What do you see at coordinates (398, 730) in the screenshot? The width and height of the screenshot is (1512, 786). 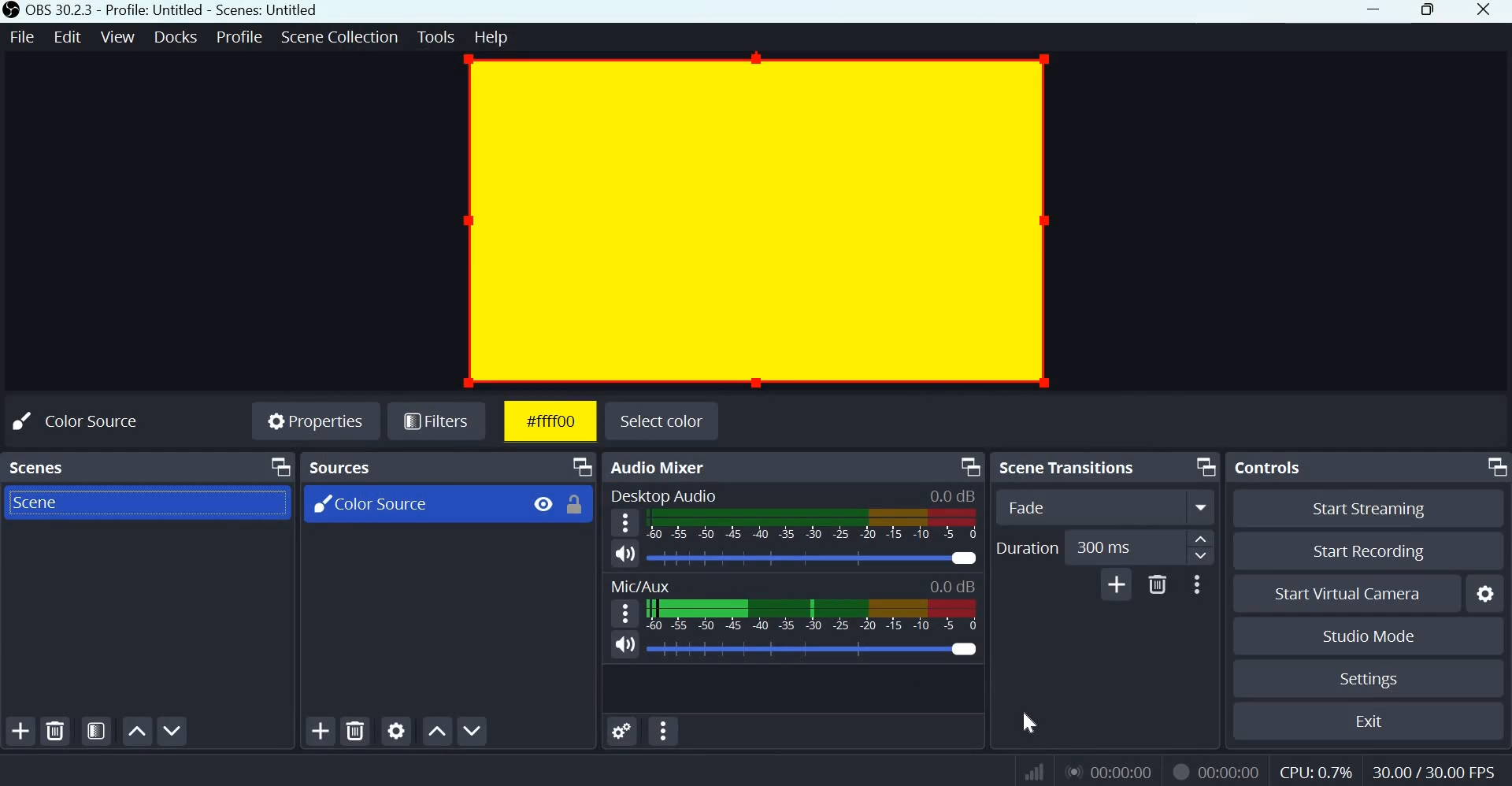 I see `Open source properties` at bounding box center [398, 730].